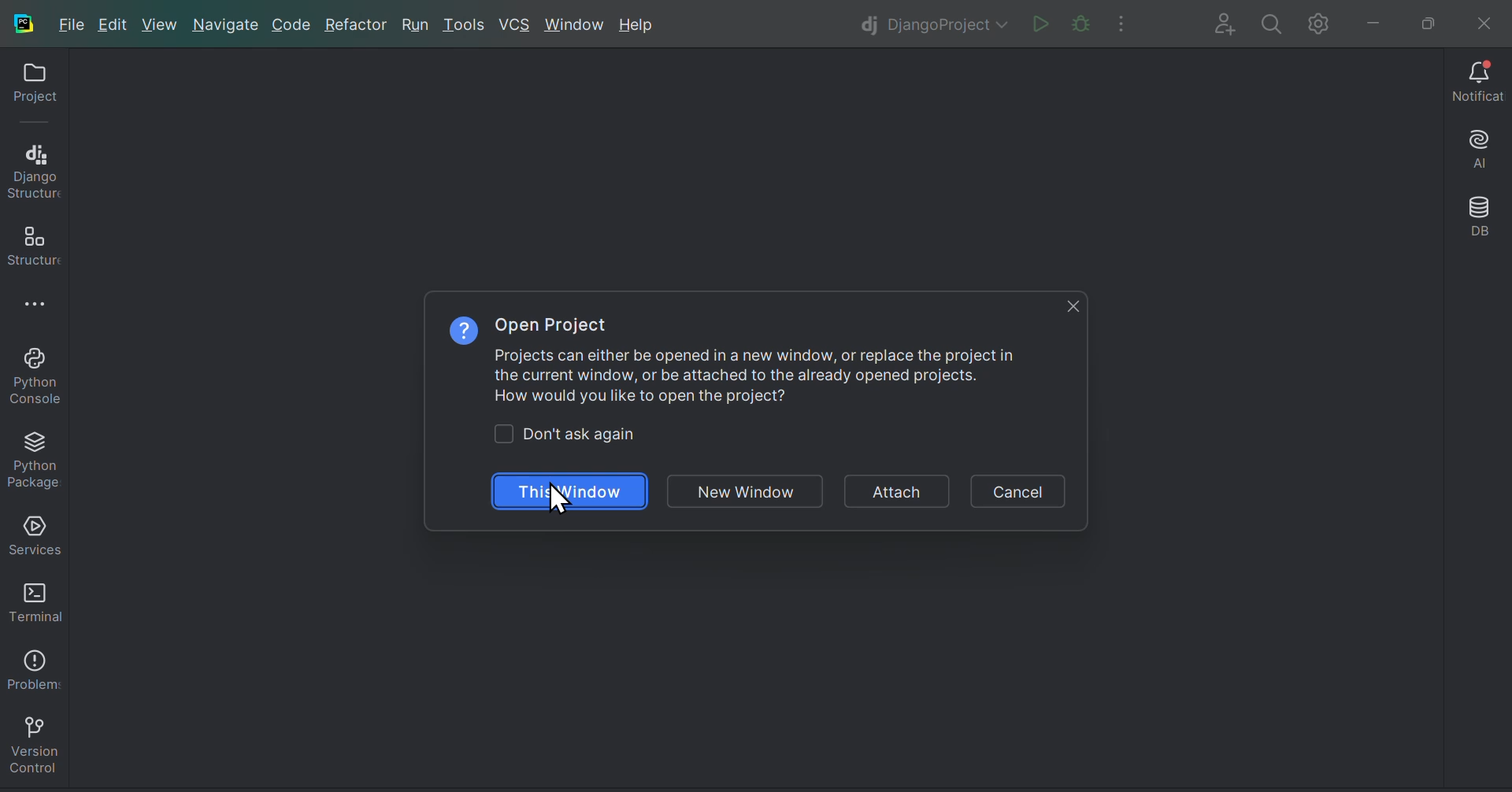  What do you see at coordinates (1478, 217) in the screenshot?
I see `Database` at bounding box center [1478, 217].